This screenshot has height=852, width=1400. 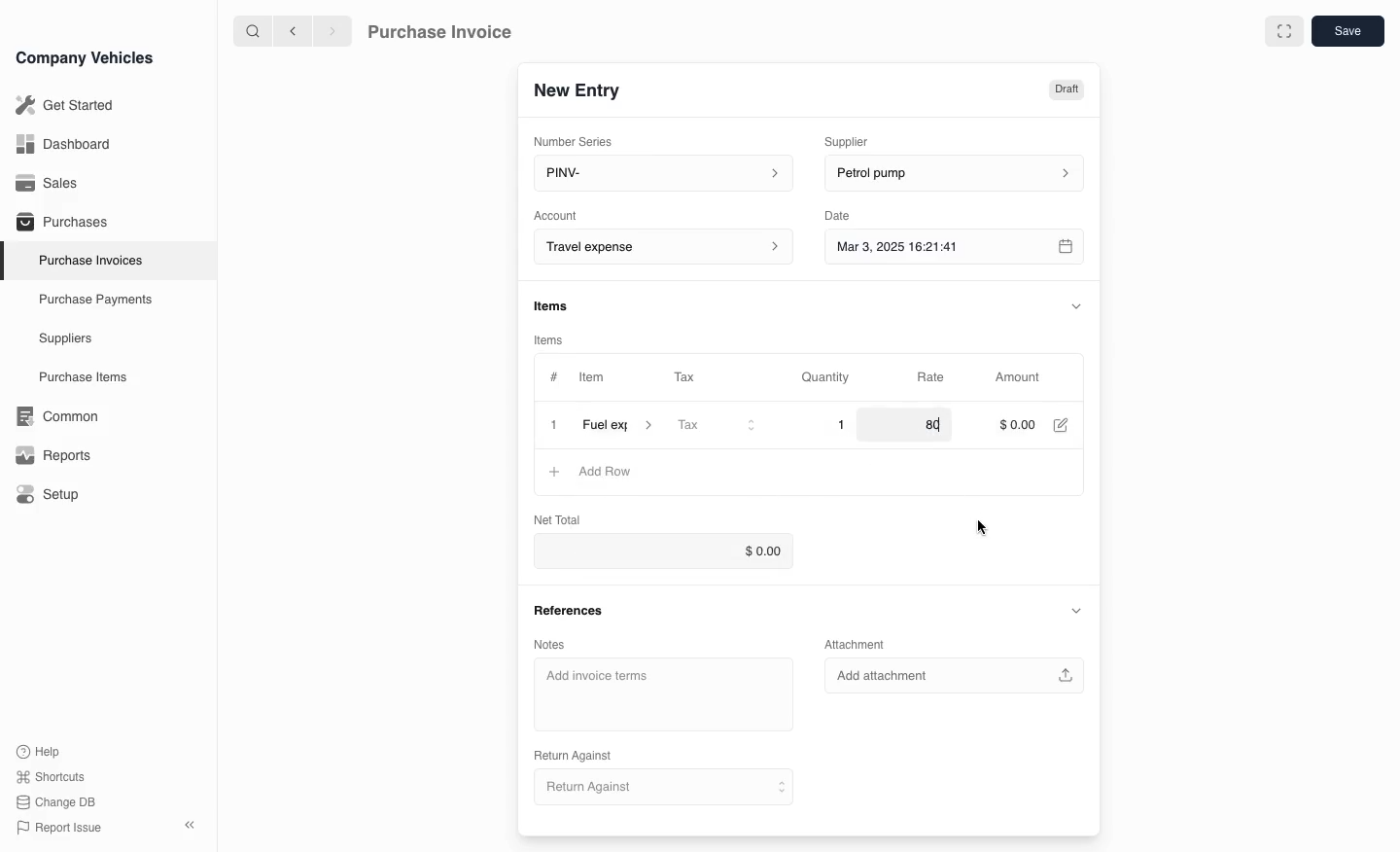 What do you see at coordinates (552, 339) in the screenshot?
I see `items` at bounding box center [552, 339].